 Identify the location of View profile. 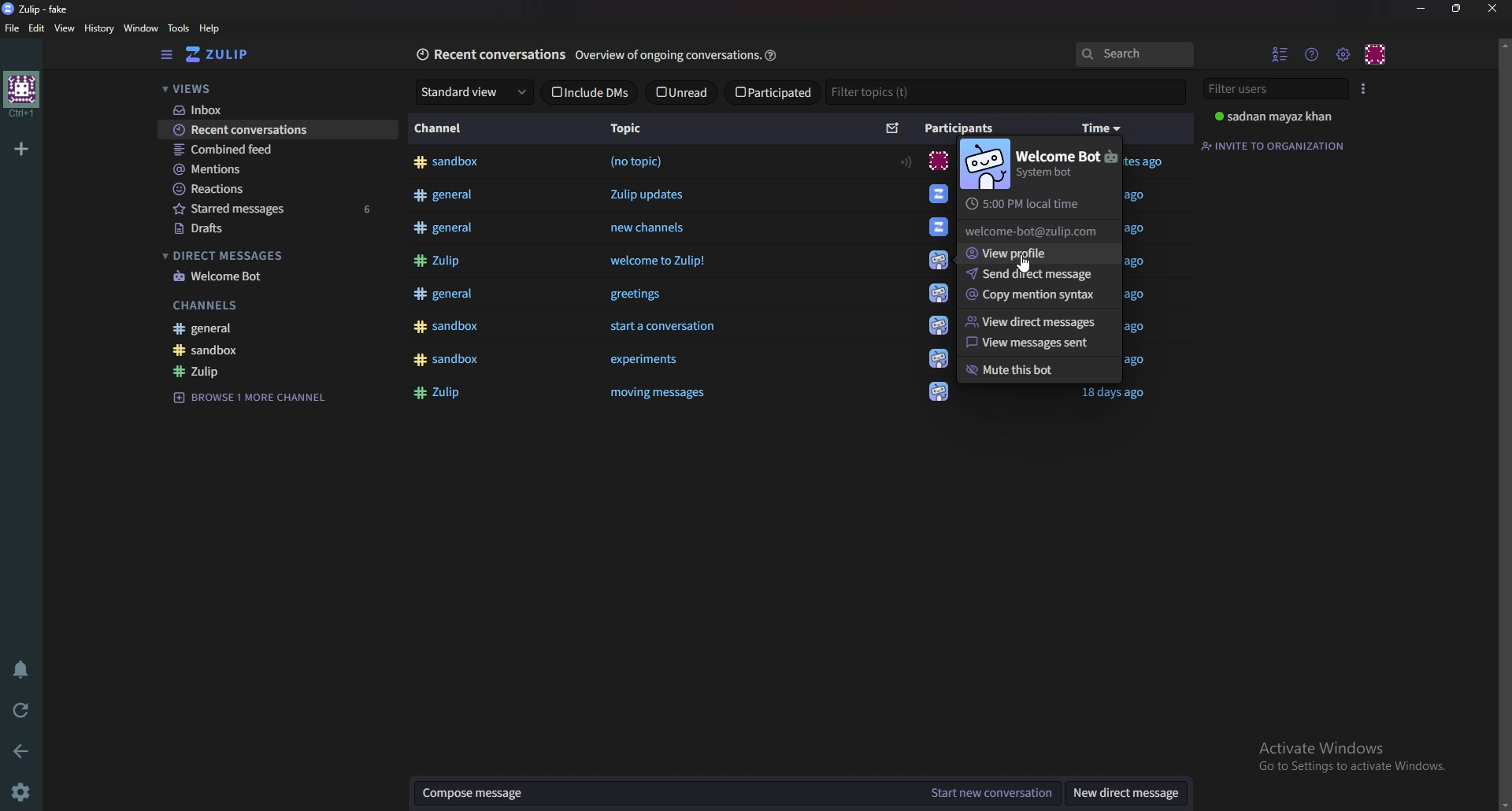
(1036, 253).